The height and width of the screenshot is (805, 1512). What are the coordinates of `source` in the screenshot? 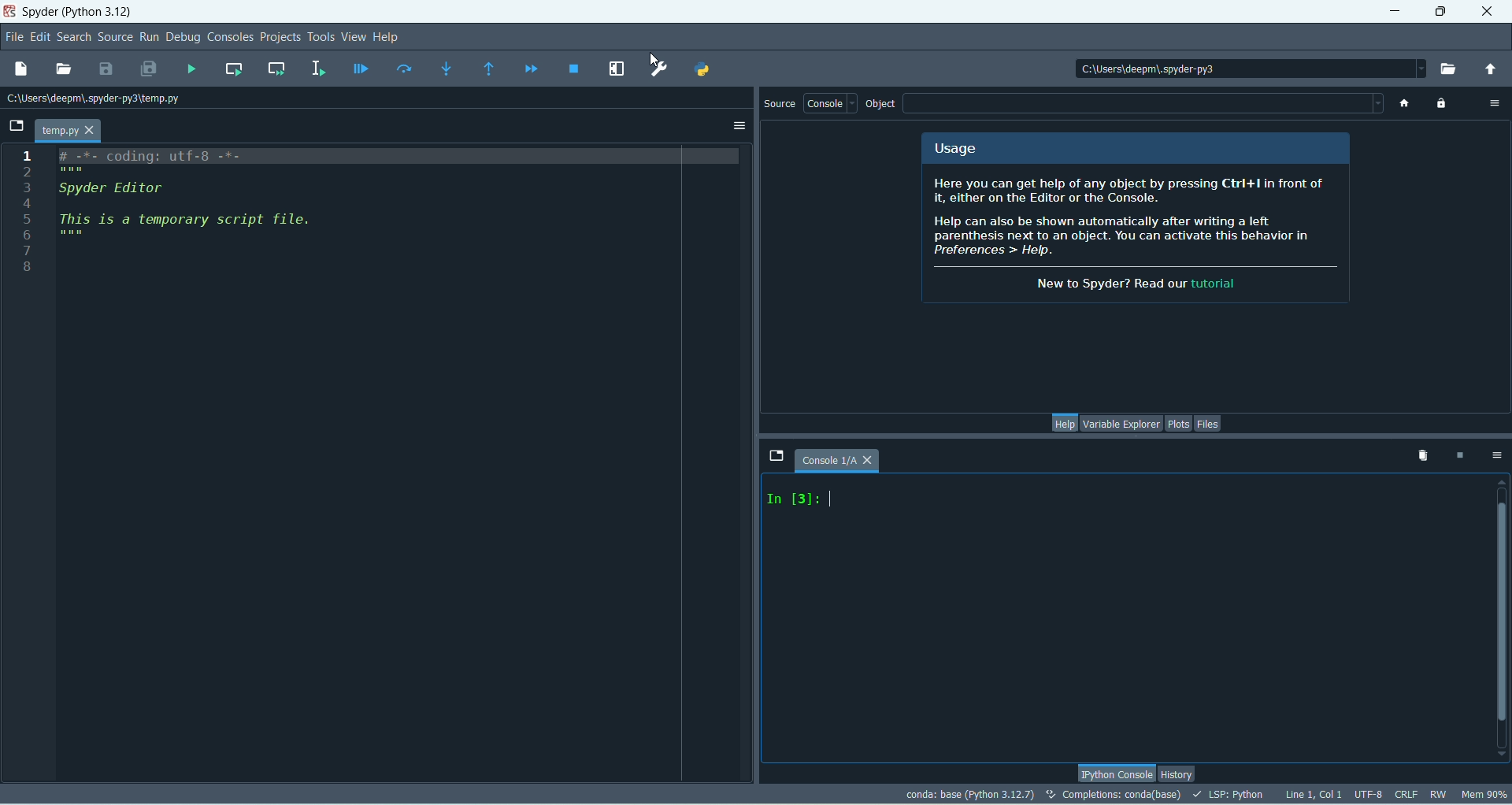 It's located at (115, 37).